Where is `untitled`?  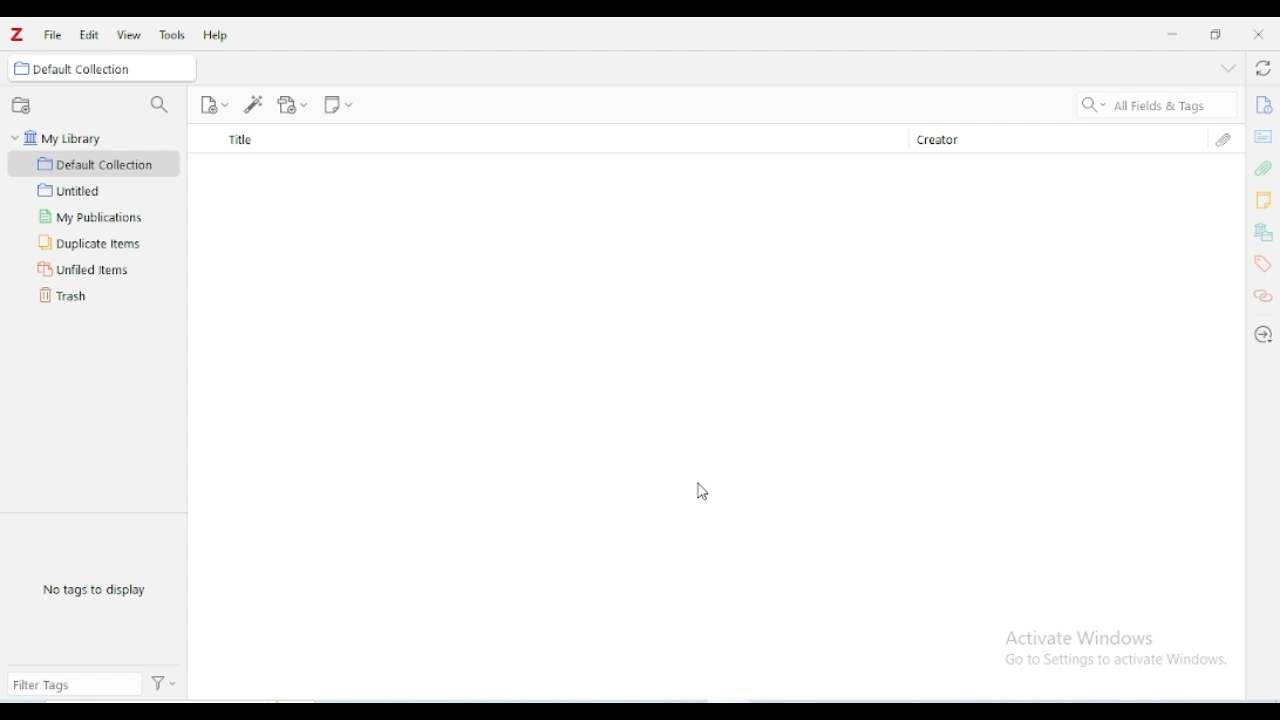 untitled is located at coordinates (70, 190).